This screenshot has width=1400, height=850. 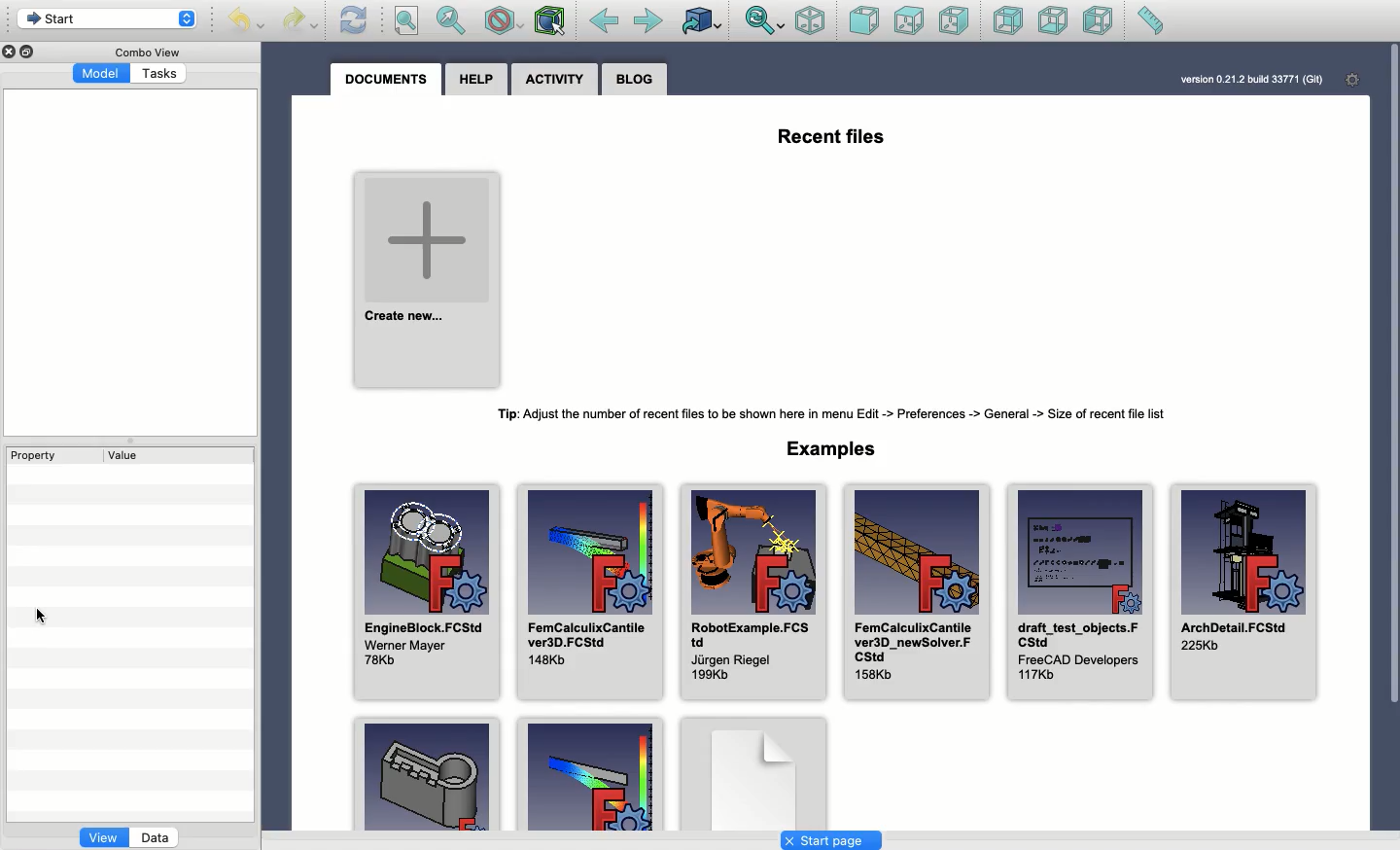 I want to click on FemCalculixCantile ver3D.FCStd, so click(x=594, y=593).